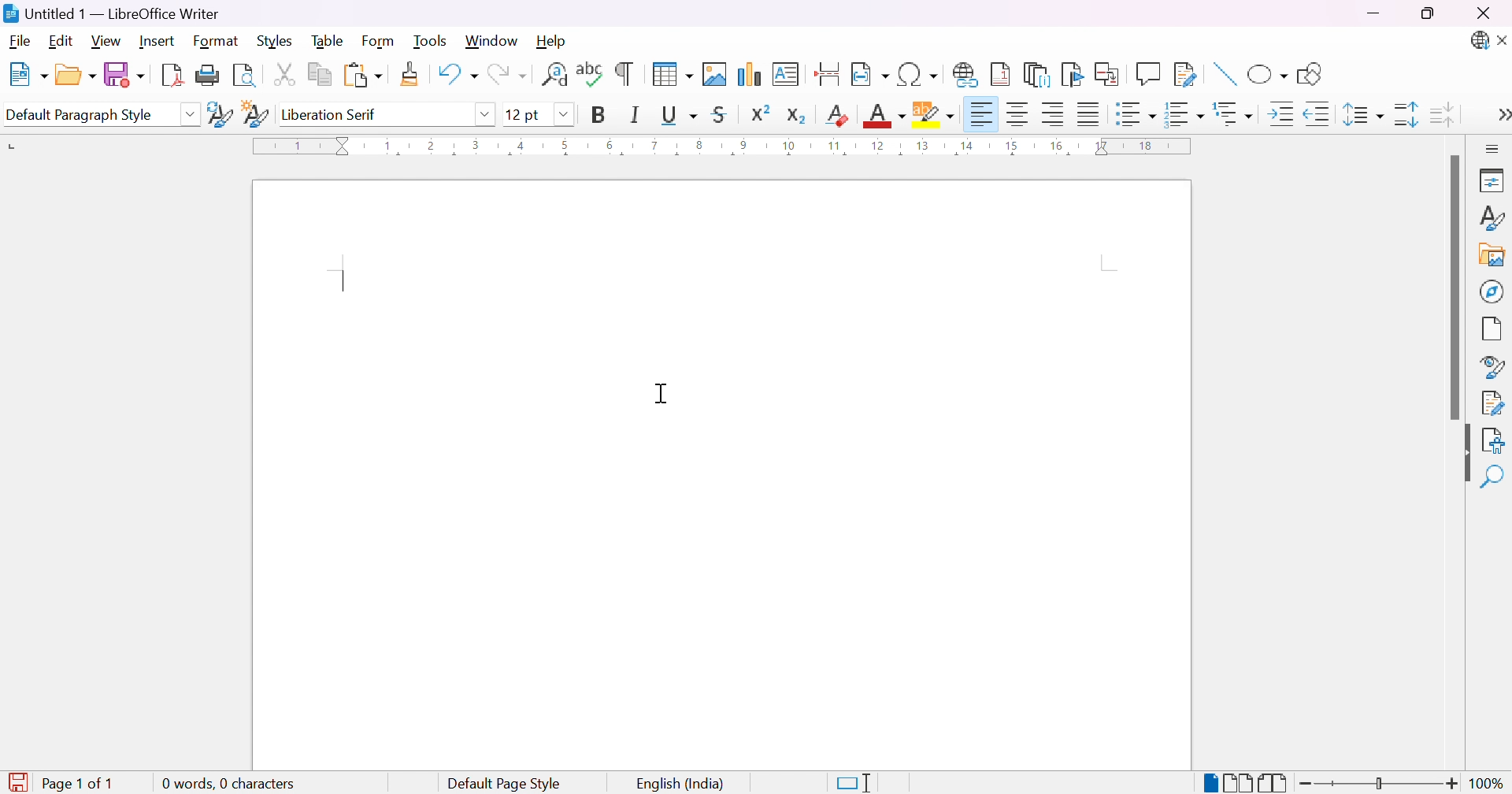  I want to click on Hide, so click(1460, 455).